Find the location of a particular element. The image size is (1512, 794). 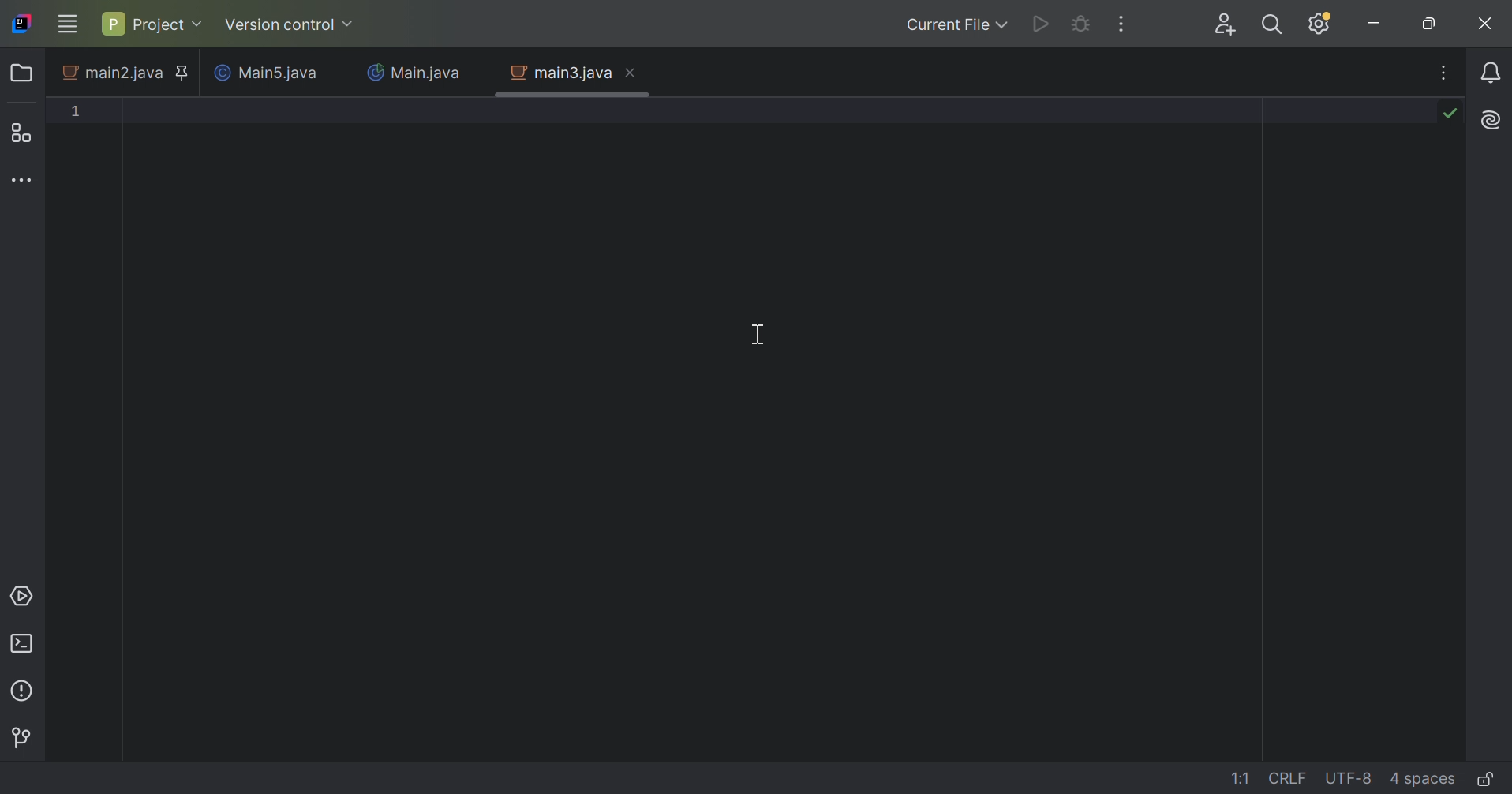

Updates available. IDE and Project Settings. is located at coordinates (1319, 24).